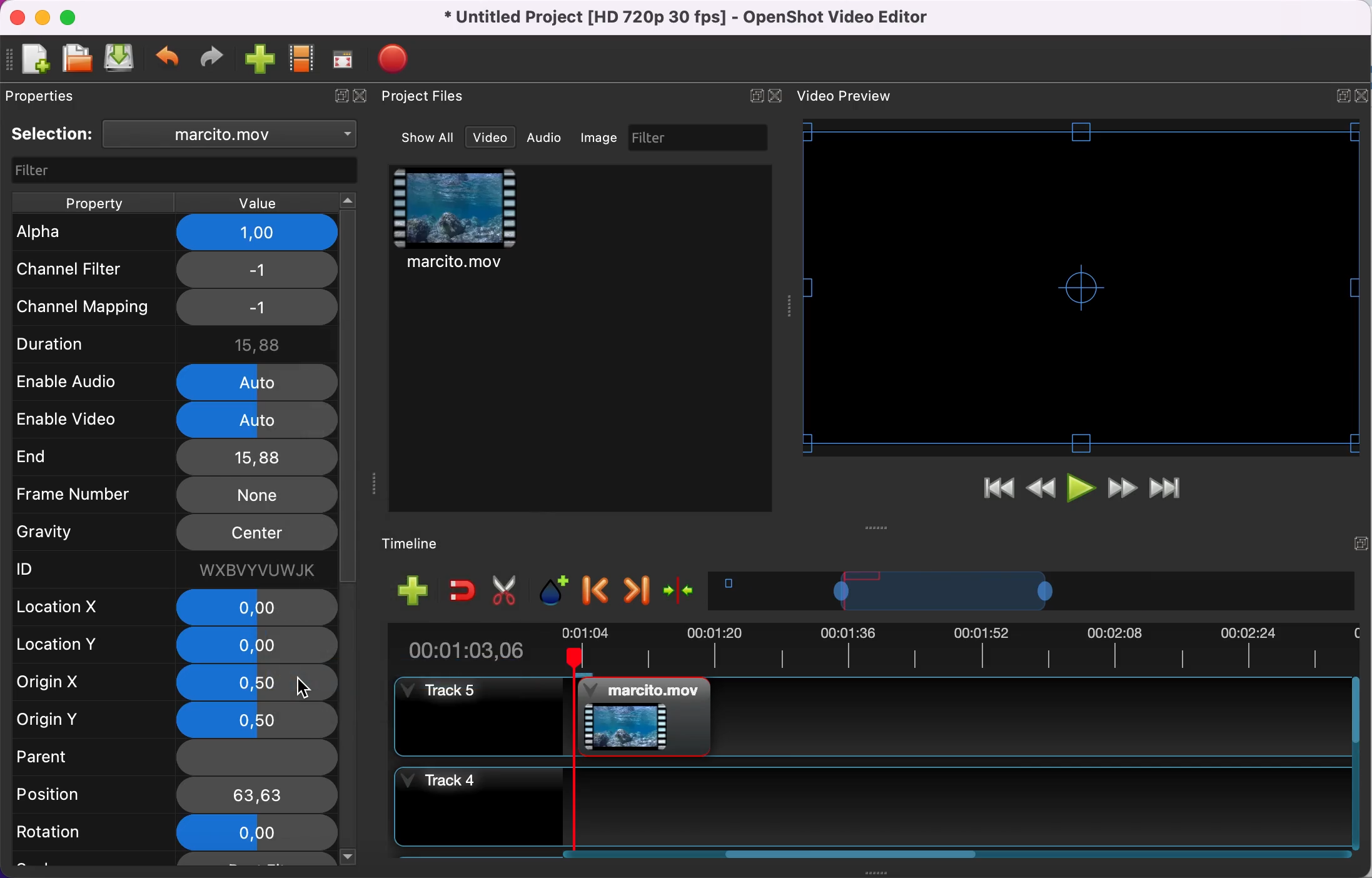 The width and height of the screenshot is (1372, 878). What do you see at coordinates (413, 589) in the screenshot?
I see `add track` at bounding box center [413, 589].